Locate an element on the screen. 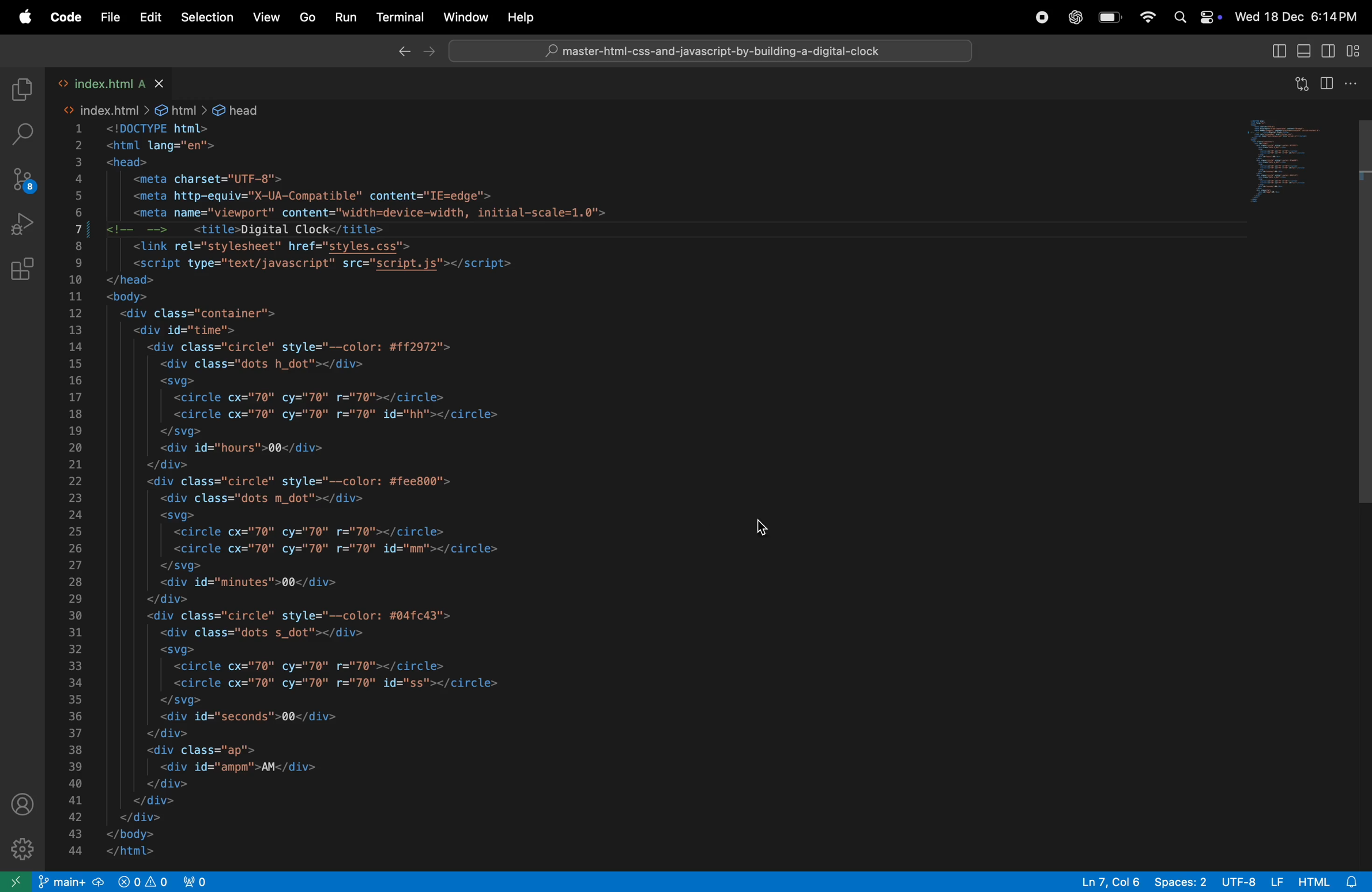  run is located at coordinates (345, 17).